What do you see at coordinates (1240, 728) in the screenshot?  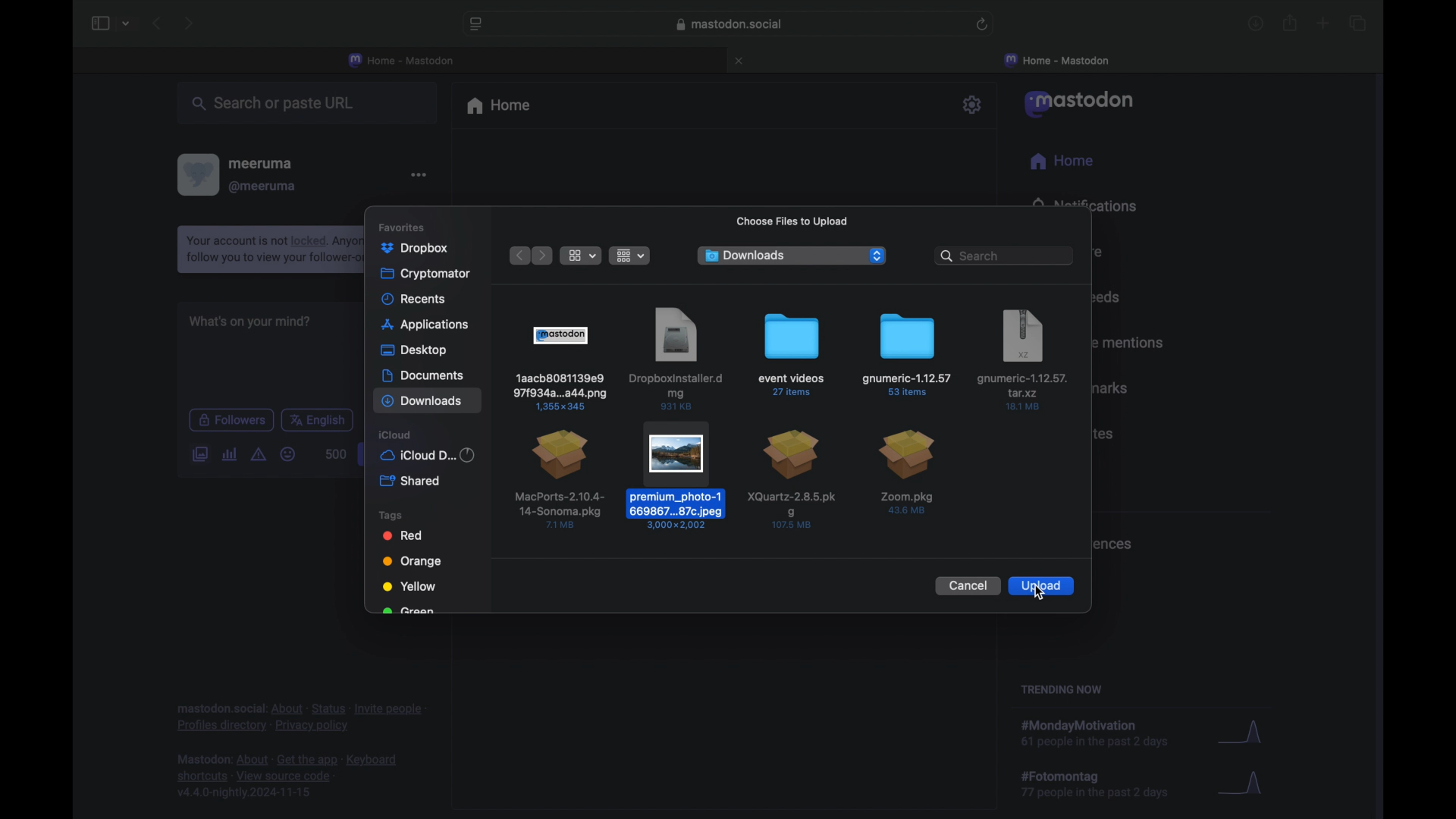 I see `graph` at bounding box center [1240, 728].